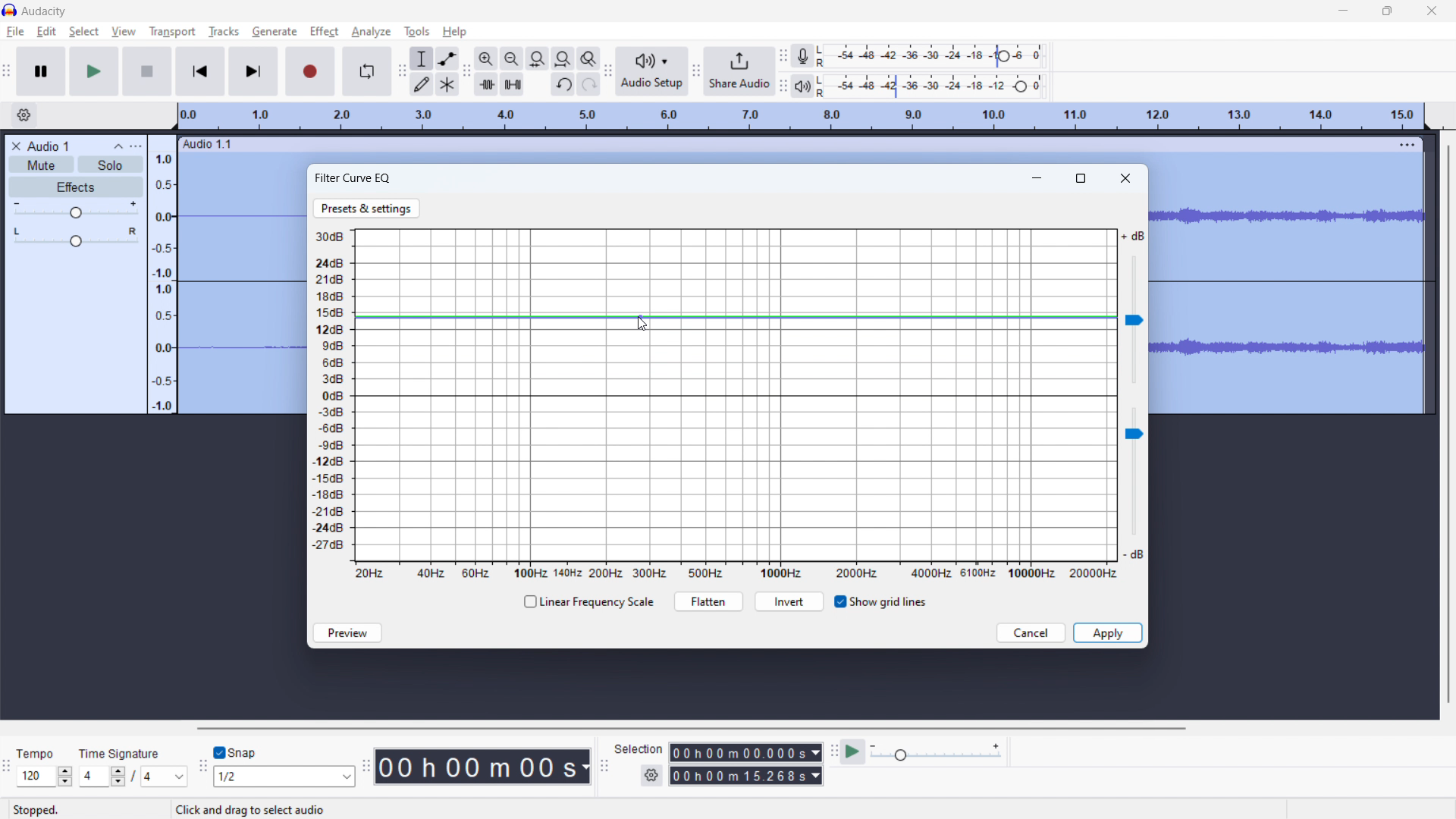  What do you see at coordinates (736, 572) in the screenshot?
I see `frequency scale` at bounding box center [736, 572].